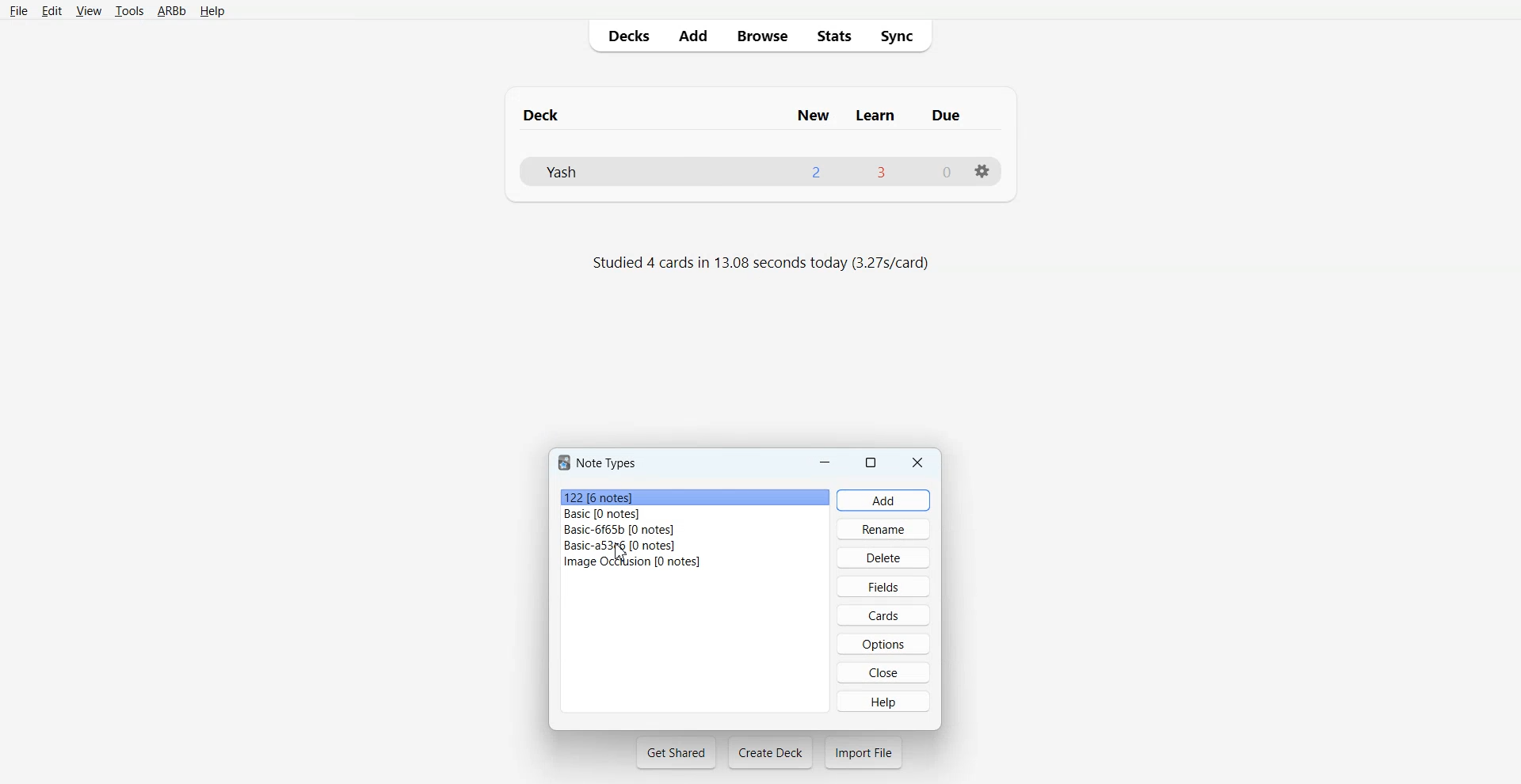 This screenshot has height=784, width=1521. Describe the element at coordinates (883, 557) in the screenshot. I see `Delete` at that location.